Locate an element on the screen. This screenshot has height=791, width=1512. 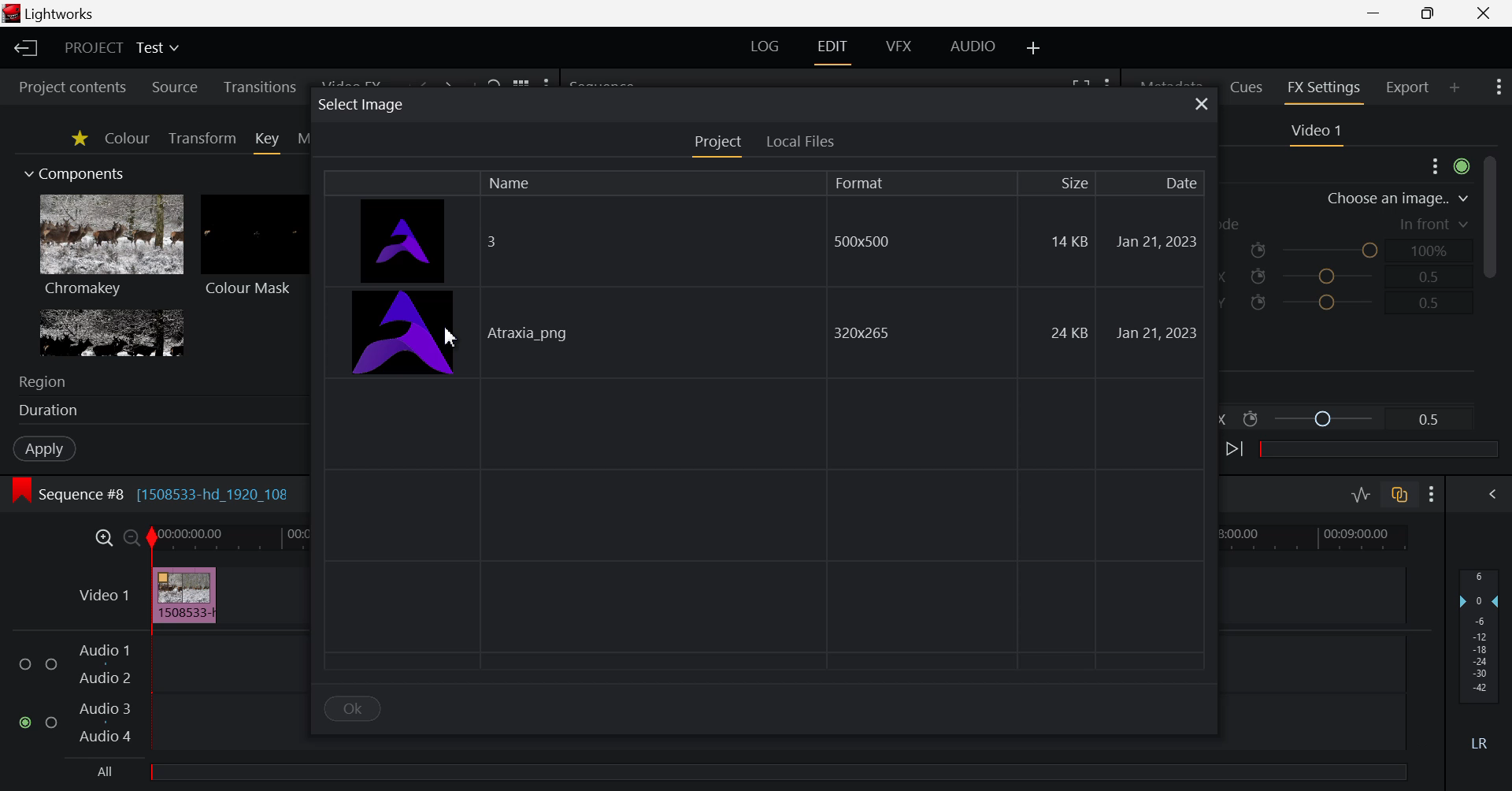
Transitions is located at coordinates (263, 85).